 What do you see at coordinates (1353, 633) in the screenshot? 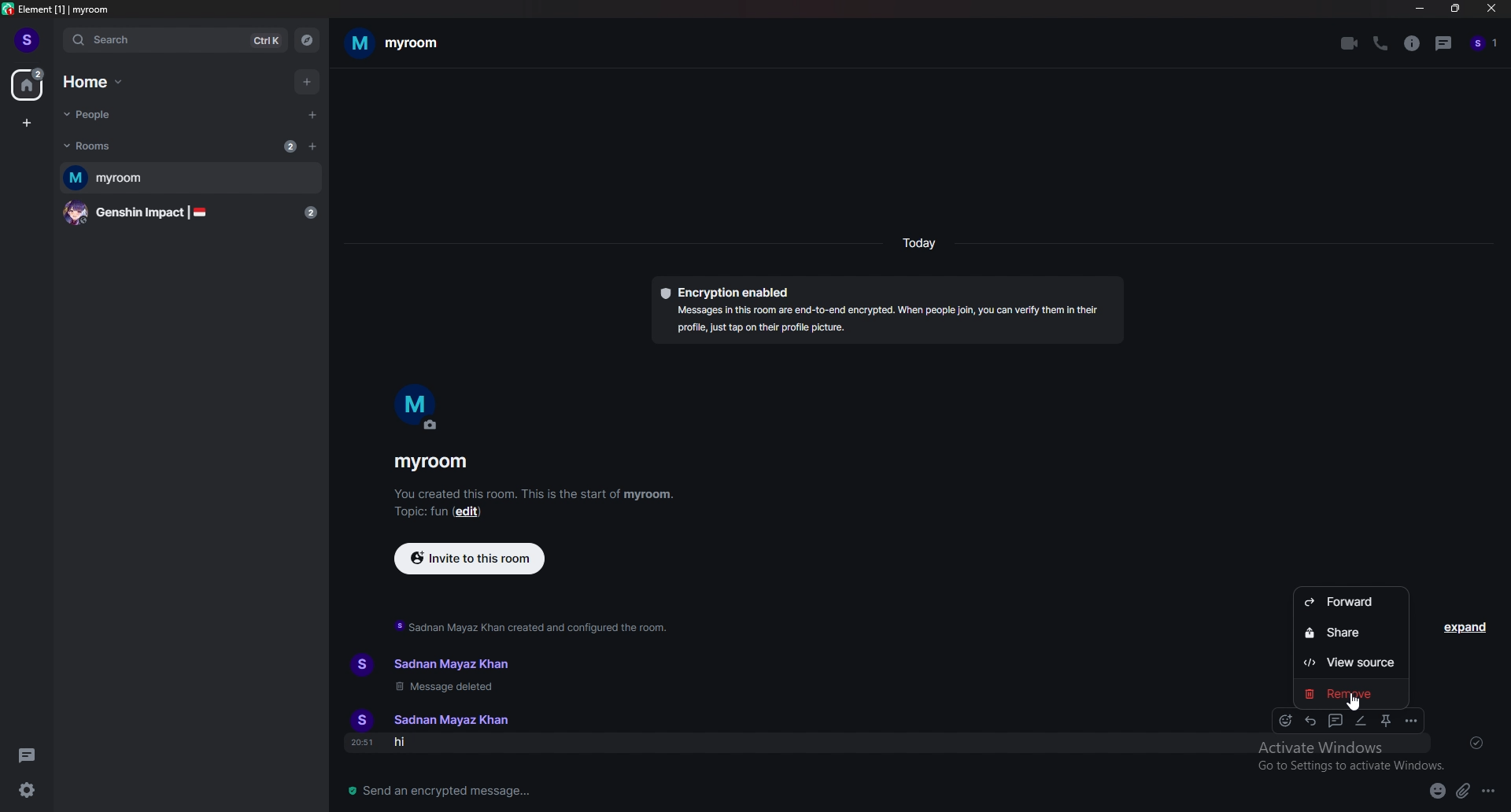
I see `share` at bounding box center [1353, 633].